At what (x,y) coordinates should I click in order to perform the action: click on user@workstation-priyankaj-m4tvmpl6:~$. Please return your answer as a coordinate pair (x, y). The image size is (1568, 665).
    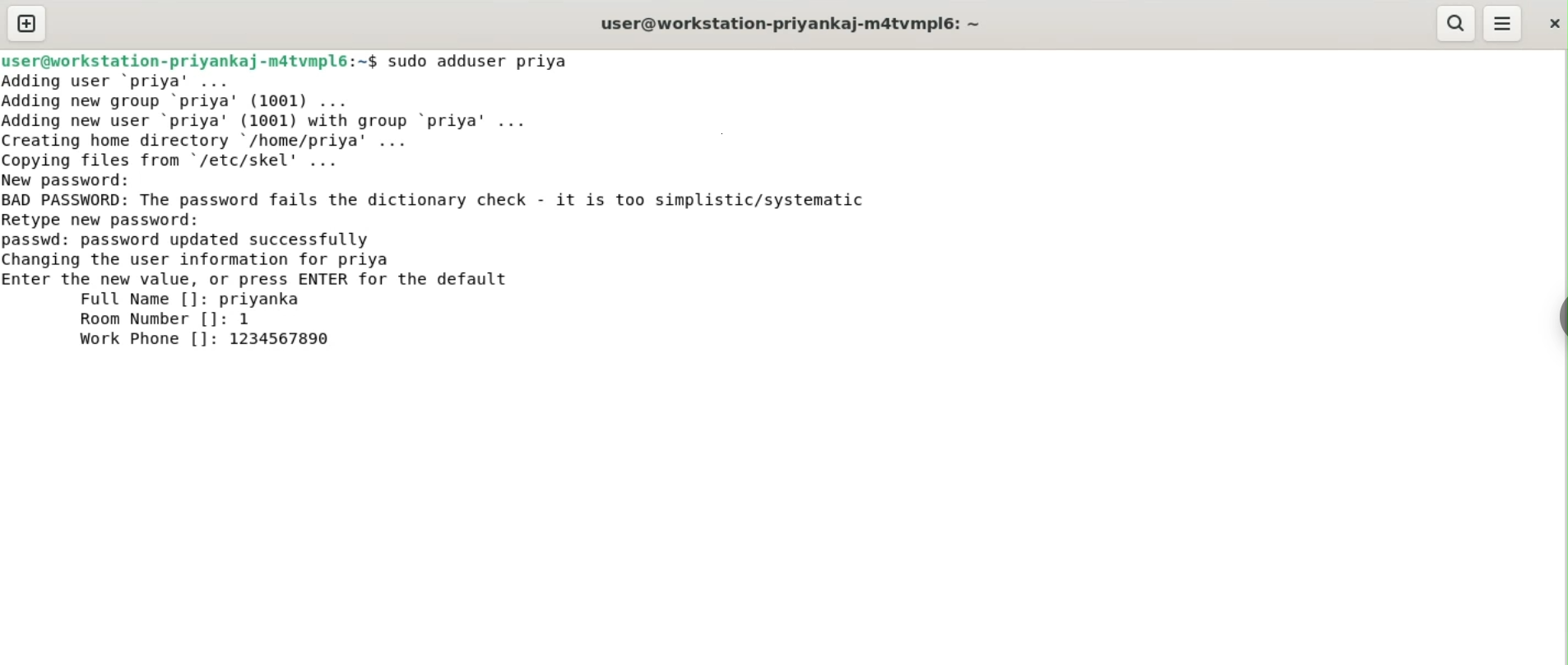
    Looking at the image, I should click on (189, 58).